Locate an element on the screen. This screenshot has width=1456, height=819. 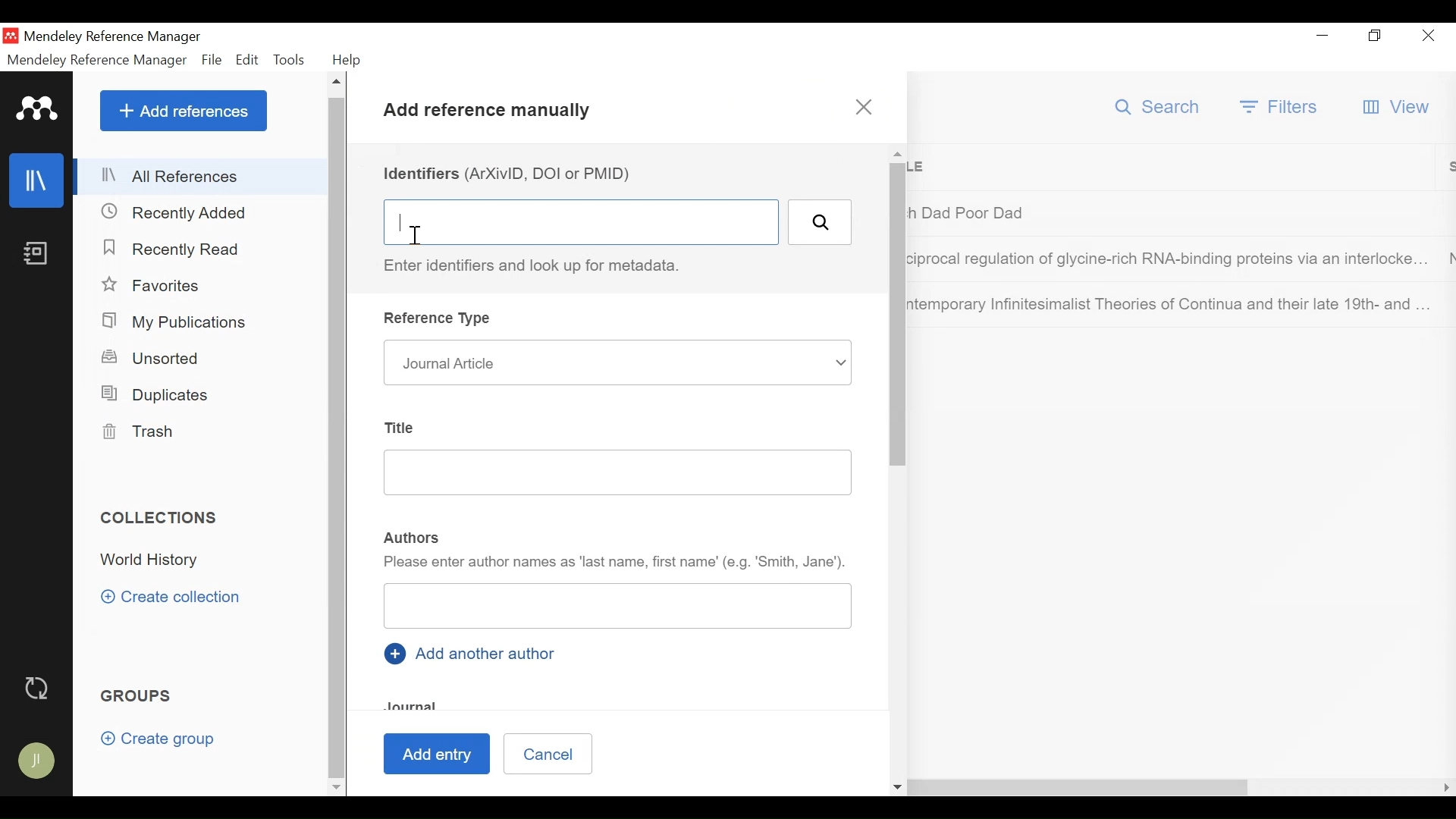
Mendeley Logo is located at coordinates (34, 107).